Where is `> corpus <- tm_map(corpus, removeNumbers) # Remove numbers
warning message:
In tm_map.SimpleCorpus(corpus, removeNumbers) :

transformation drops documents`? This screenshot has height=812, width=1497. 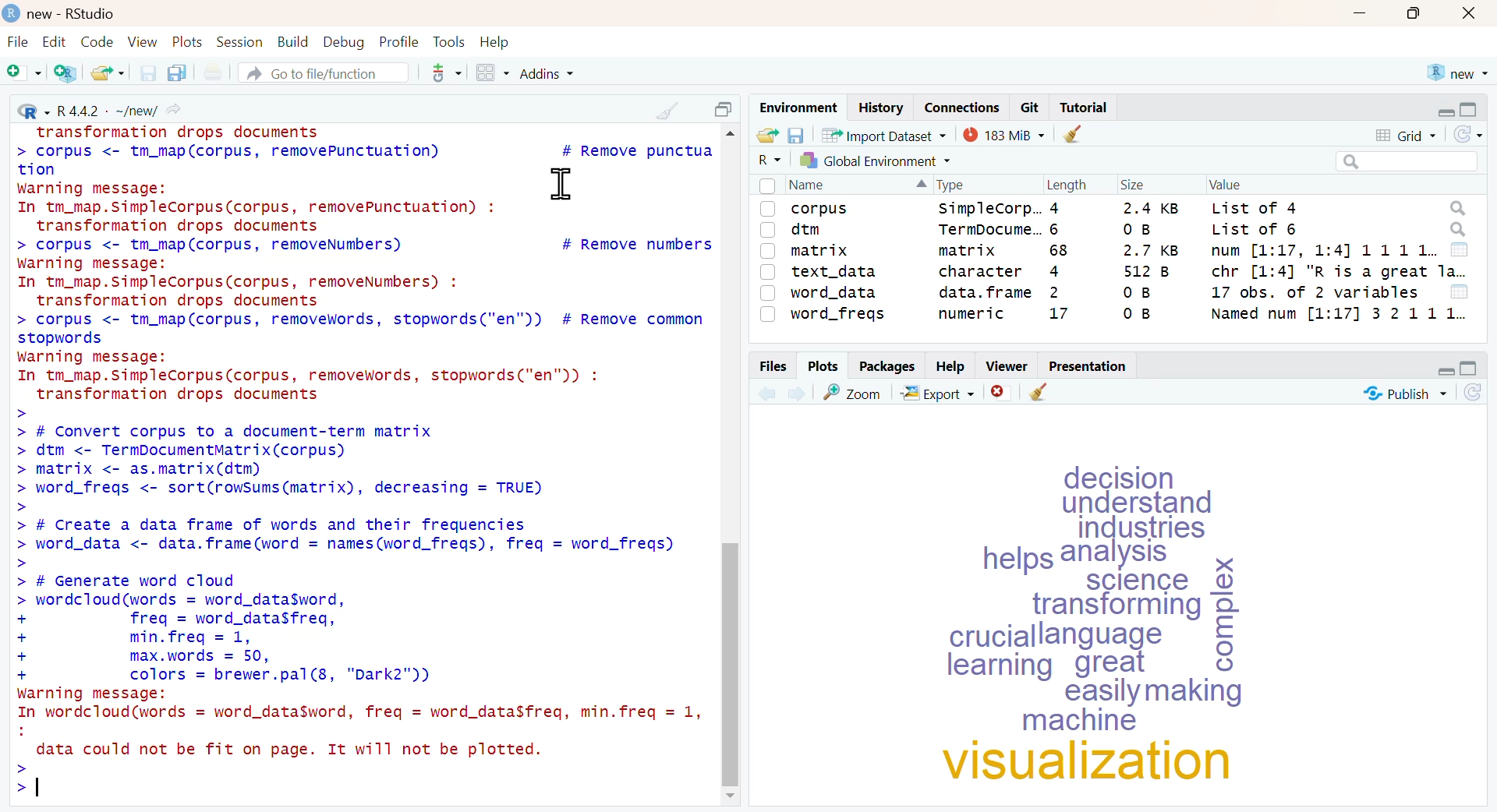
> corpus <- tm_map(corpus, removeNumbers) # Remove numbers
warning message:
In tm_map.SimpleCorpus(corpus, removeNumbers) :

transformation drops documents is located at coordinates (364, 273).